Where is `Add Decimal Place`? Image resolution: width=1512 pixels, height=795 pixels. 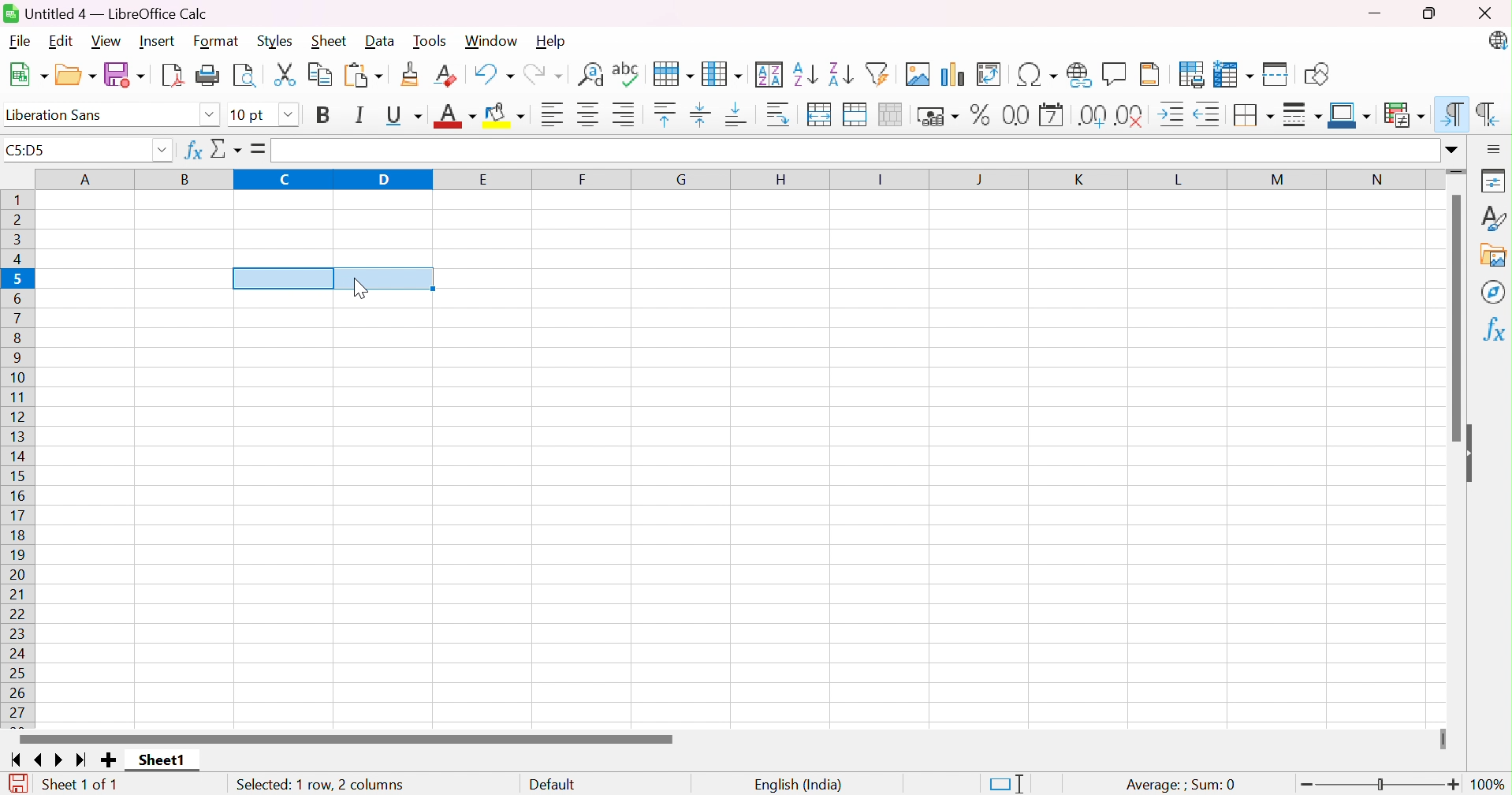 Add Decimal Place is located at coordinates (1090, 114).